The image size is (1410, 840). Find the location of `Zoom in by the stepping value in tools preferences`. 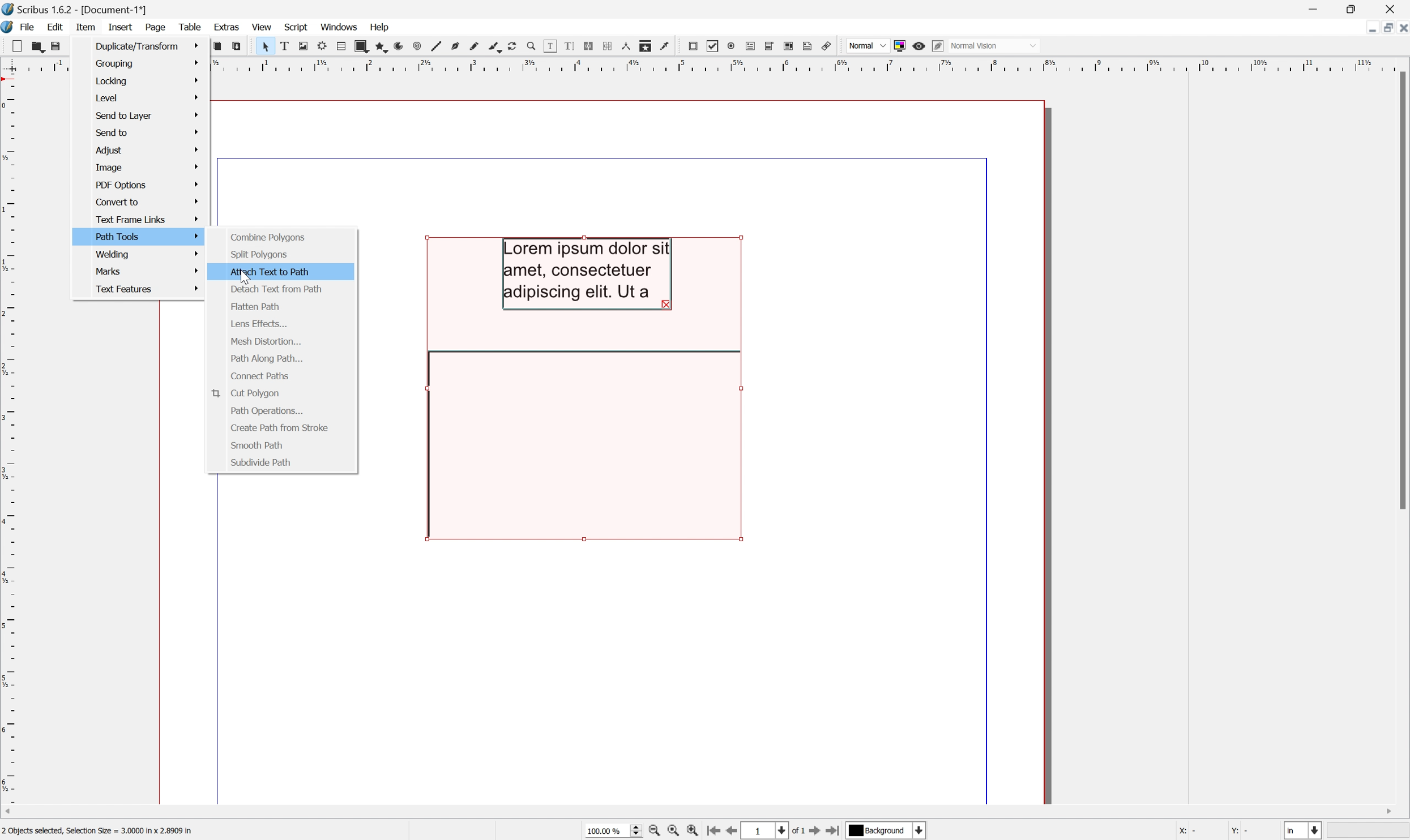

Zoom in by the stepping value in tools preferences is located at coordinates (698, 831).